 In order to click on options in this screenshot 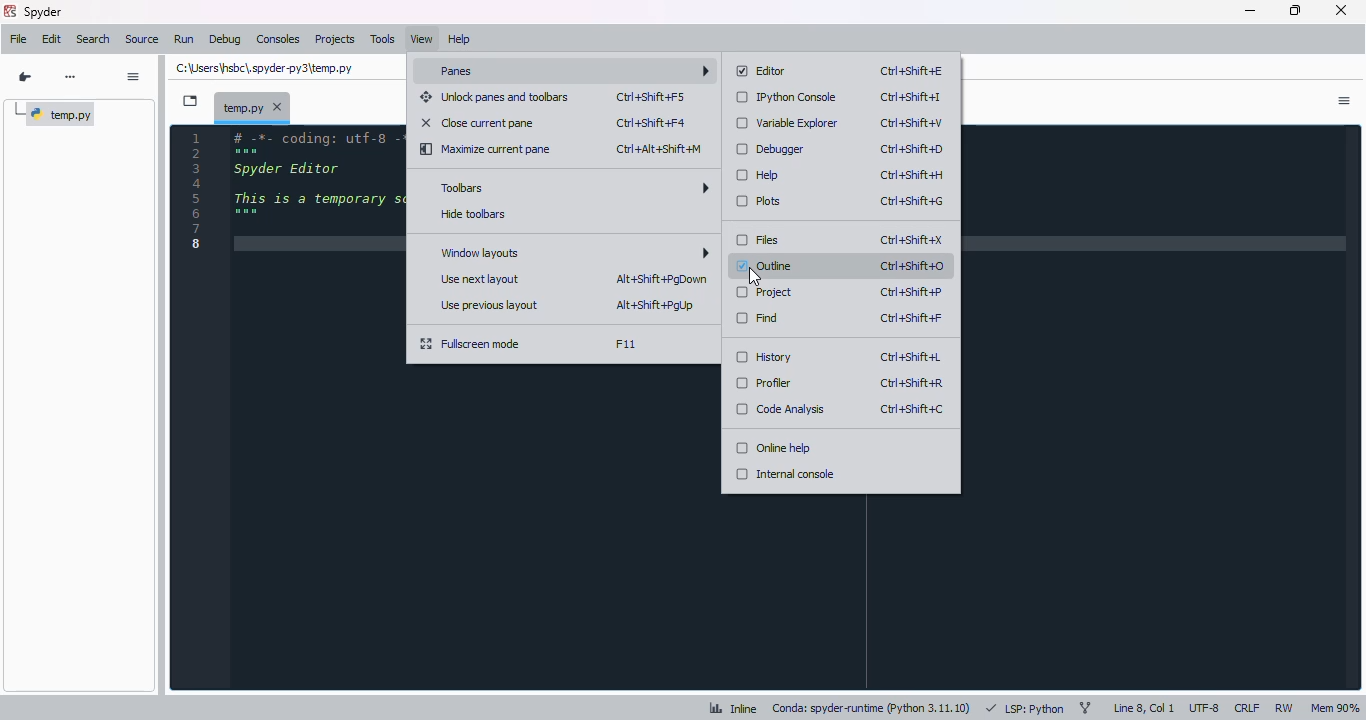, I will do `click(1345, 101)`.